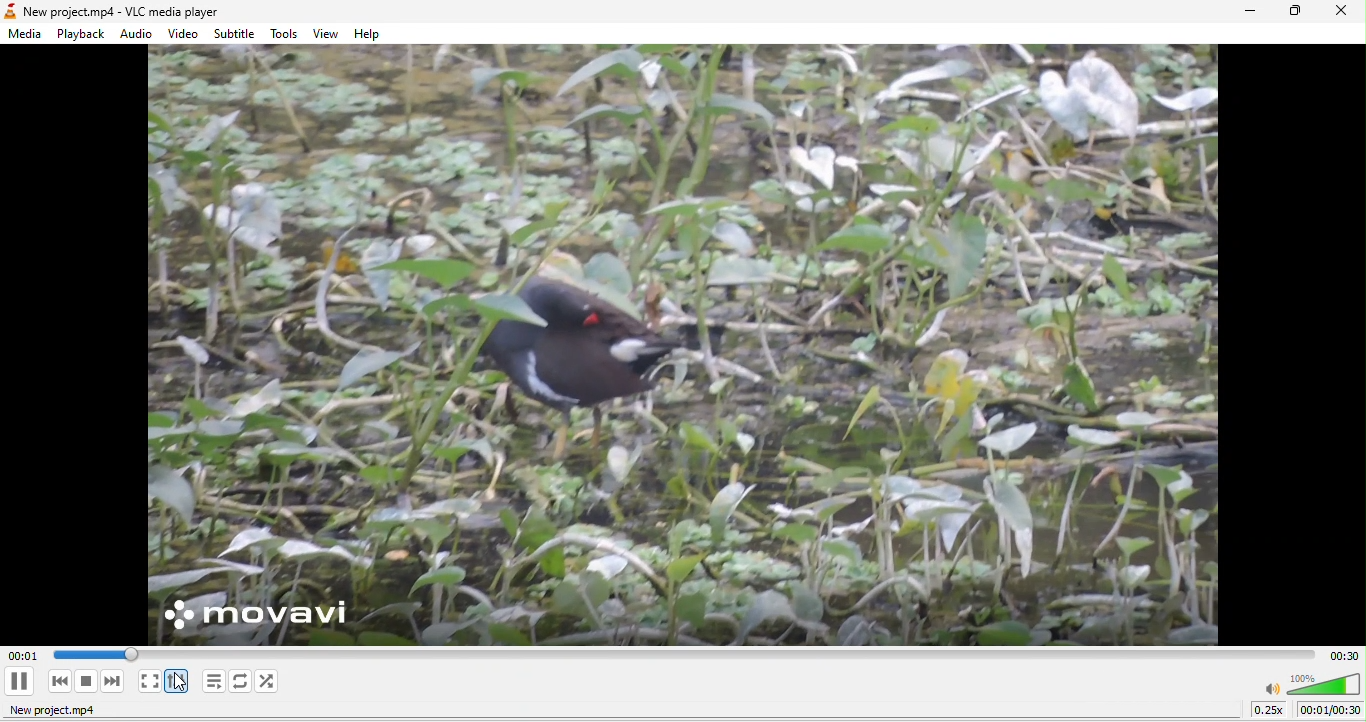 Image resolution: width=1366 pixels, height=722 pixels. What do you see at coordinates (79, 35) in the screenshot?
I see `playback` at bounding box center [79, 35].